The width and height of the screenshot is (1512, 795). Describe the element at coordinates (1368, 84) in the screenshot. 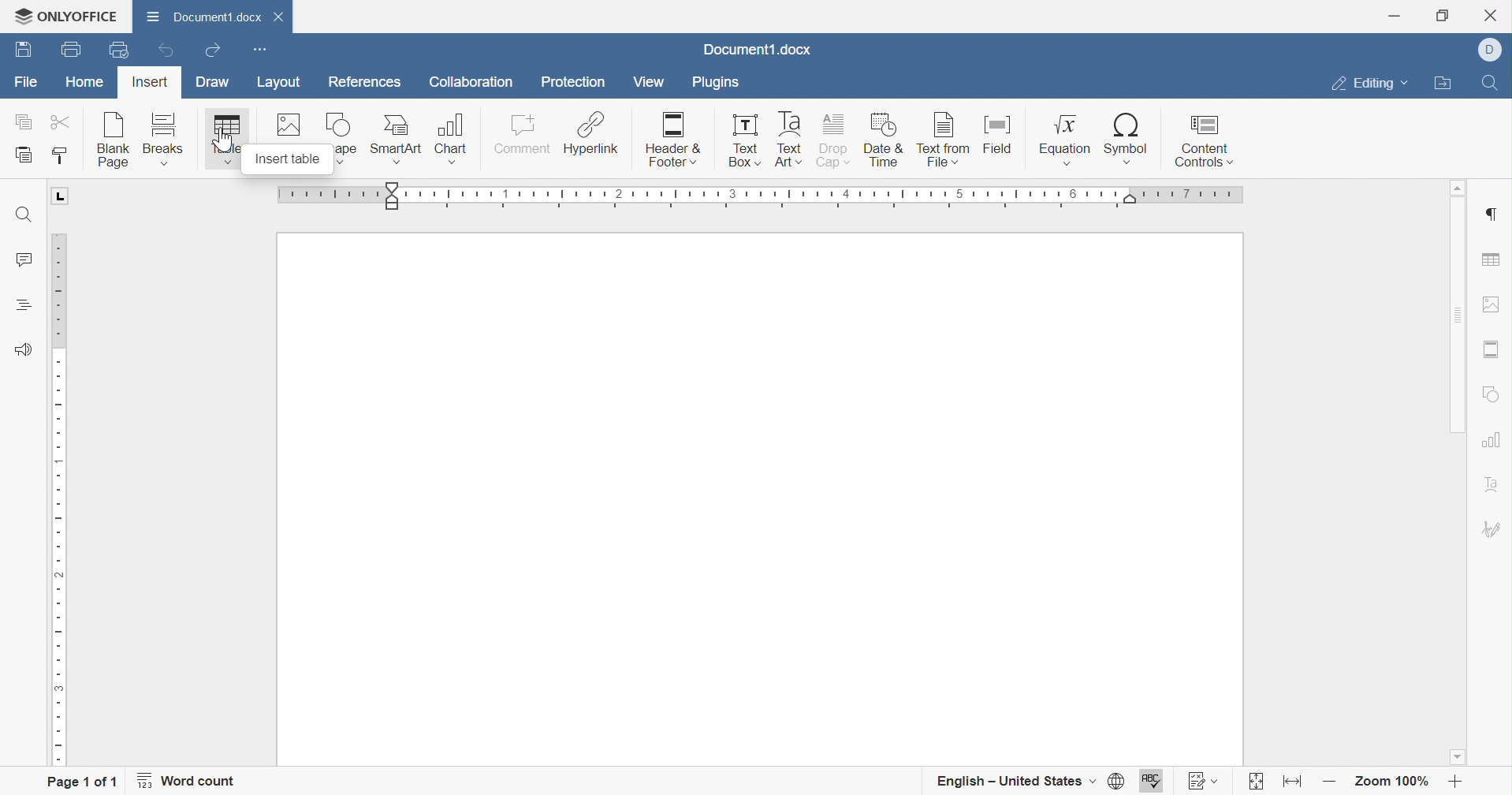

I see `Editing` at that location.